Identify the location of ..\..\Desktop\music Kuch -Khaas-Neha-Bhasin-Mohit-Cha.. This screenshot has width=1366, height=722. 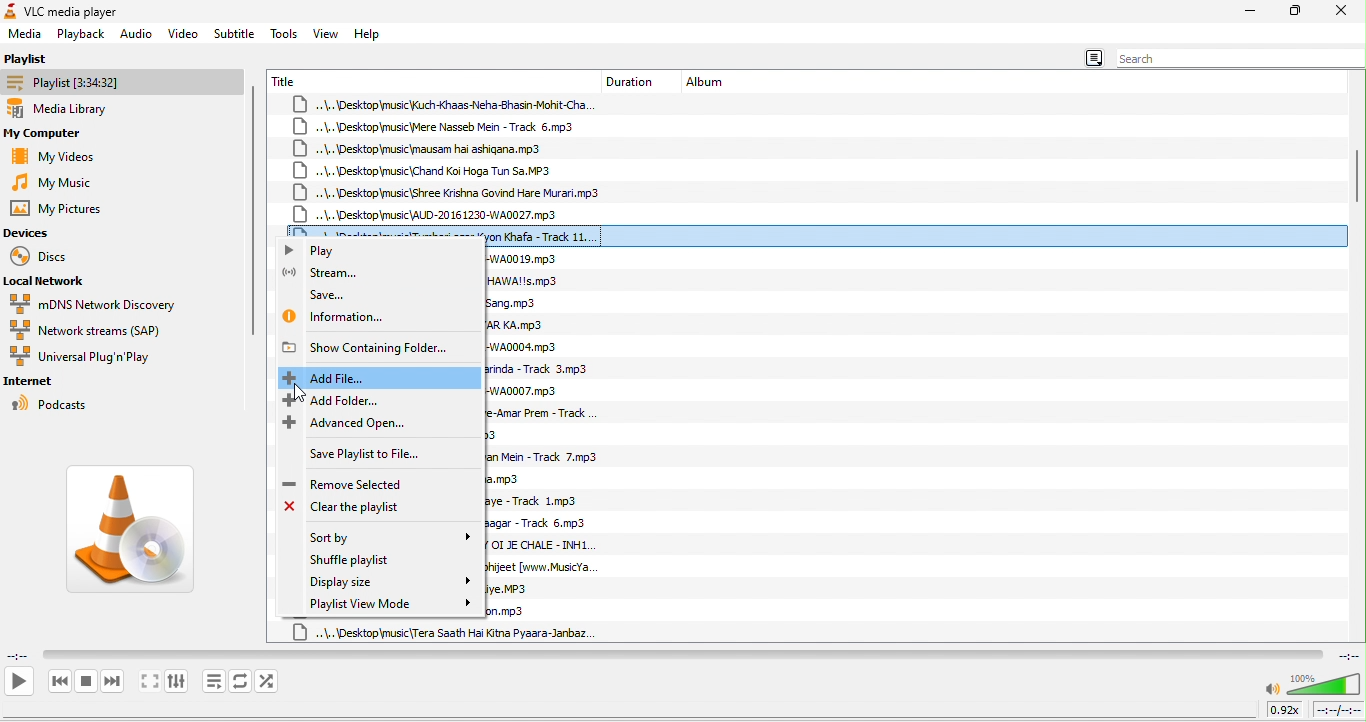
(446, 104).